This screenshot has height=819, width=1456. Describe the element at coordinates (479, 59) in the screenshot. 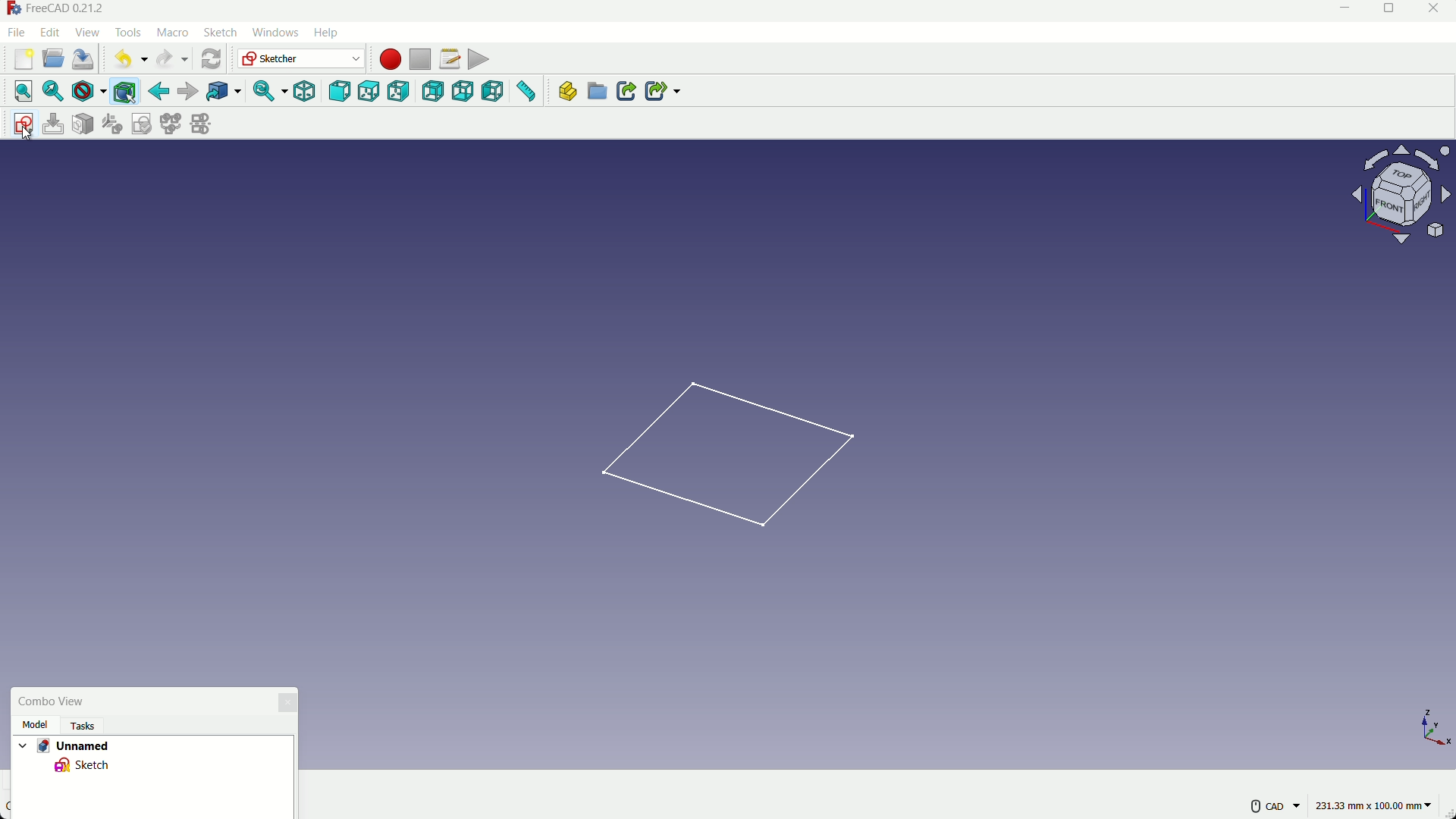

I see `execute macros` at that location.